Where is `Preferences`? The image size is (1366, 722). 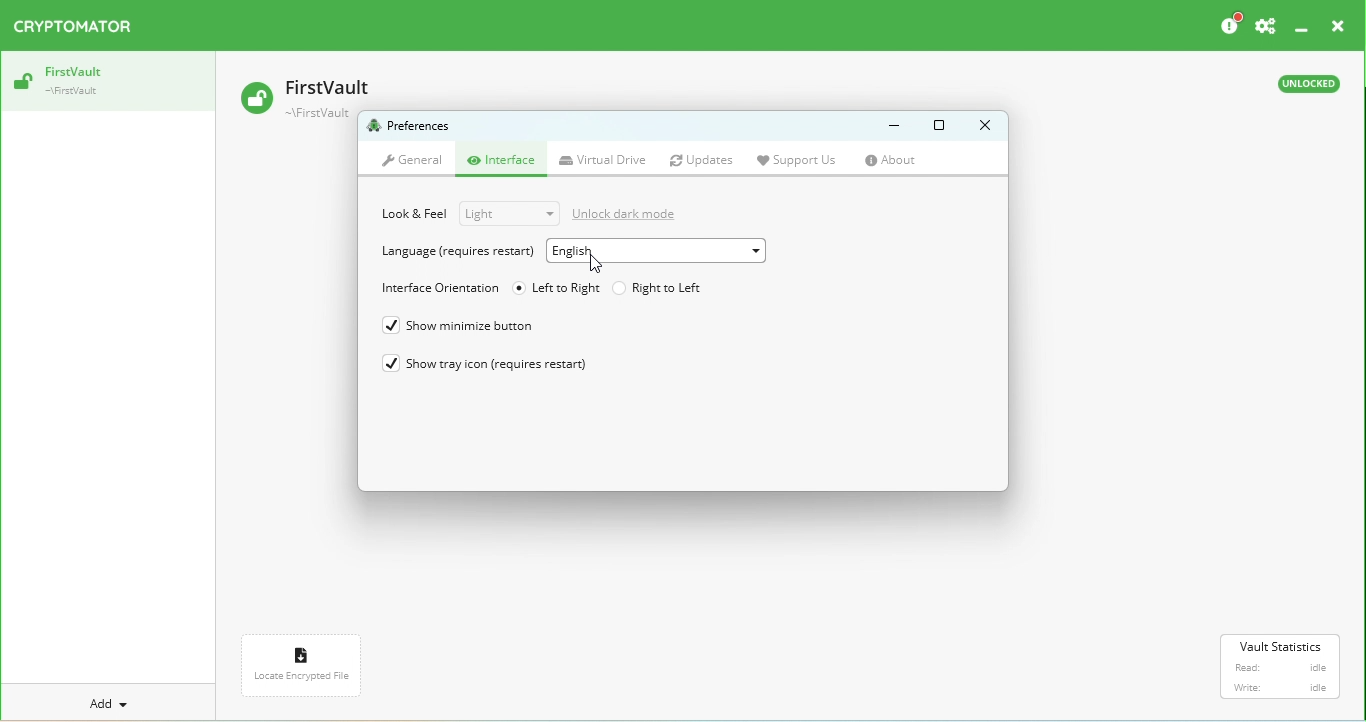
Preferences is located at coordinates (412, 127).